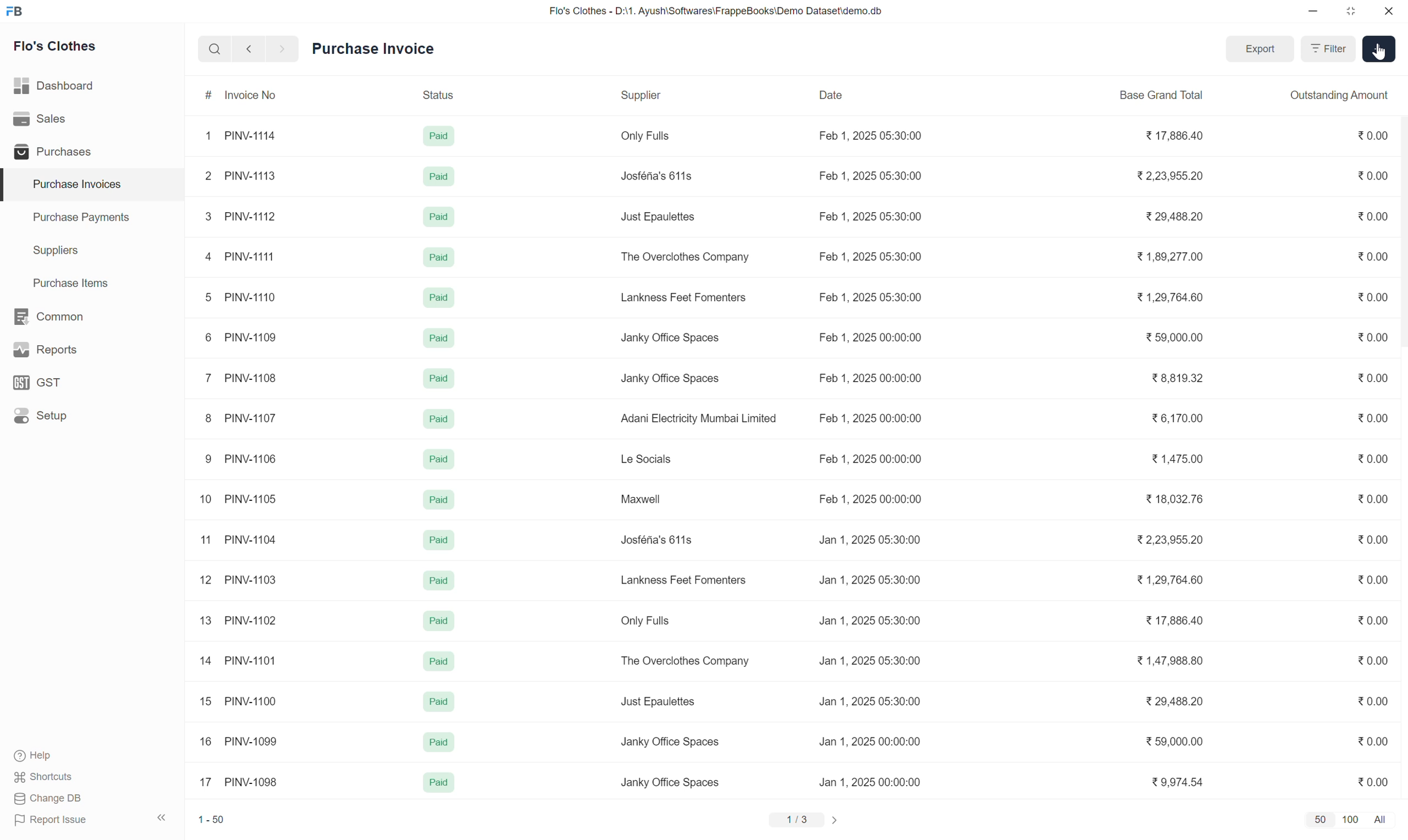 The image size is (1408, 840). I want to click on 6,170.00, so click(1177, 418).